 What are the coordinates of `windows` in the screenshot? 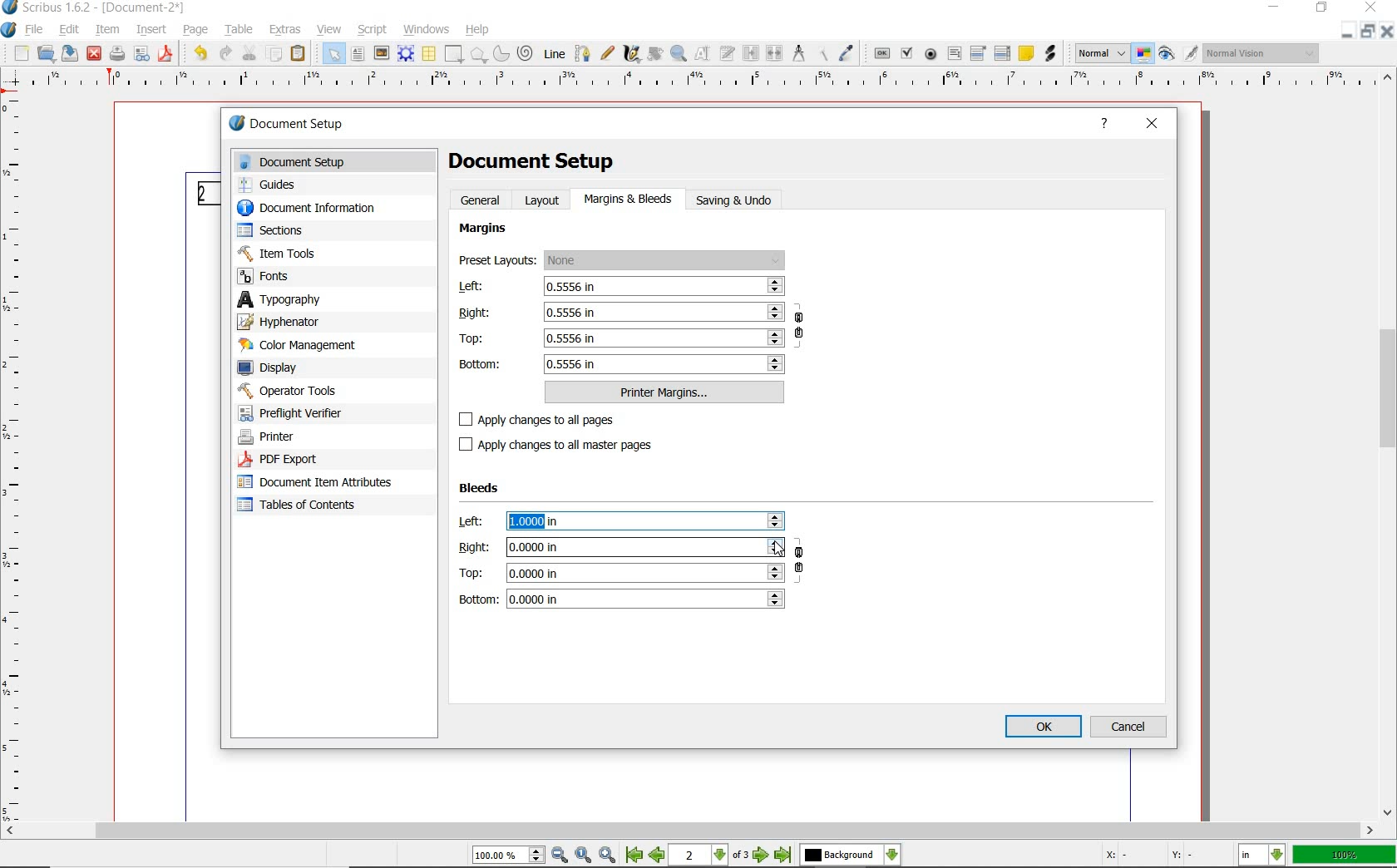 It's located at (427, 28).